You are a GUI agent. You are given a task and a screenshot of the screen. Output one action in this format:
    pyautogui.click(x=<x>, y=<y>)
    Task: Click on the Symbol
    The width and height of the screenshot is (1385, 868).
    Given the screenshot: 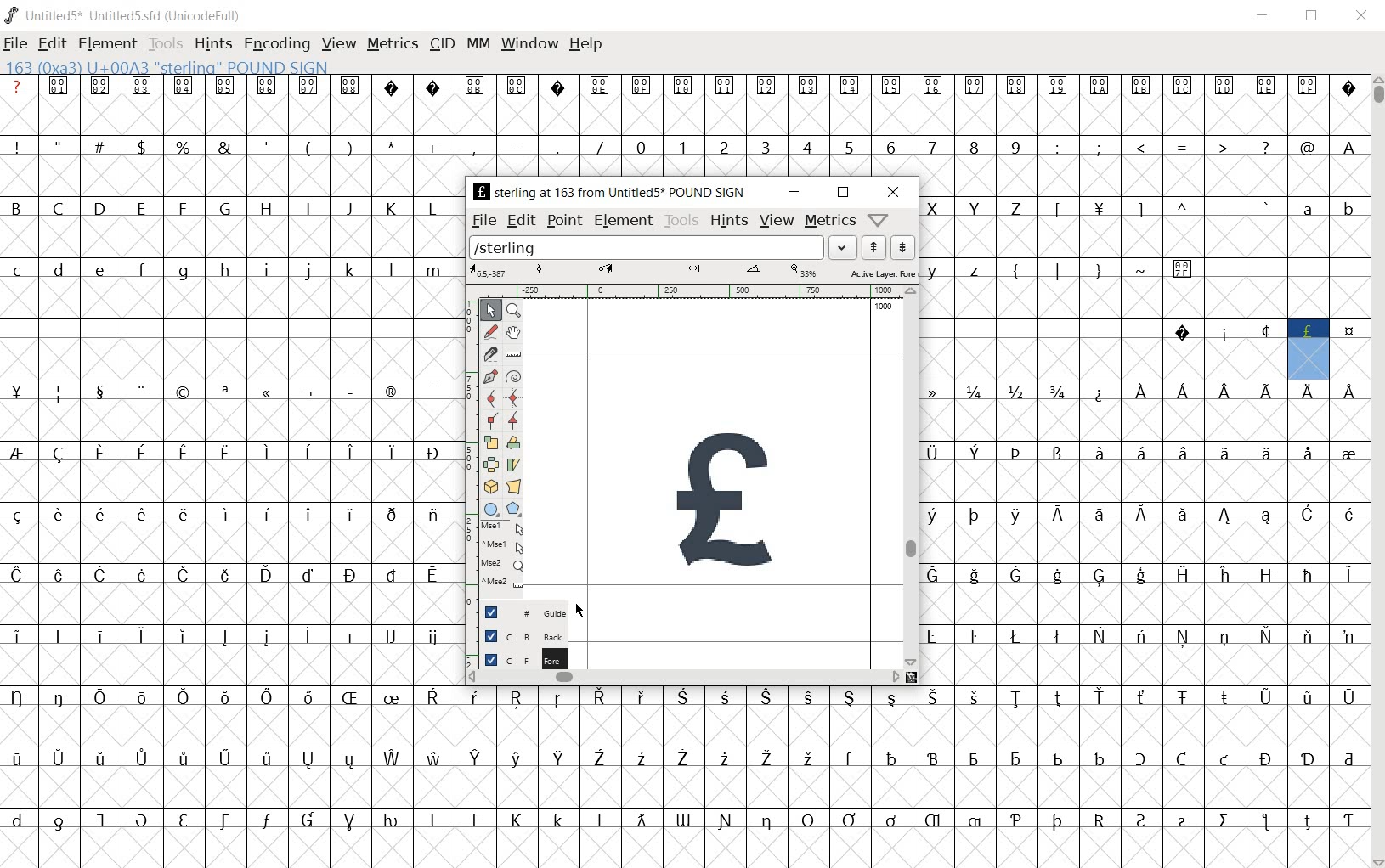 What is the action you would take?
    pyautogui.click(x=309, y=86)
    